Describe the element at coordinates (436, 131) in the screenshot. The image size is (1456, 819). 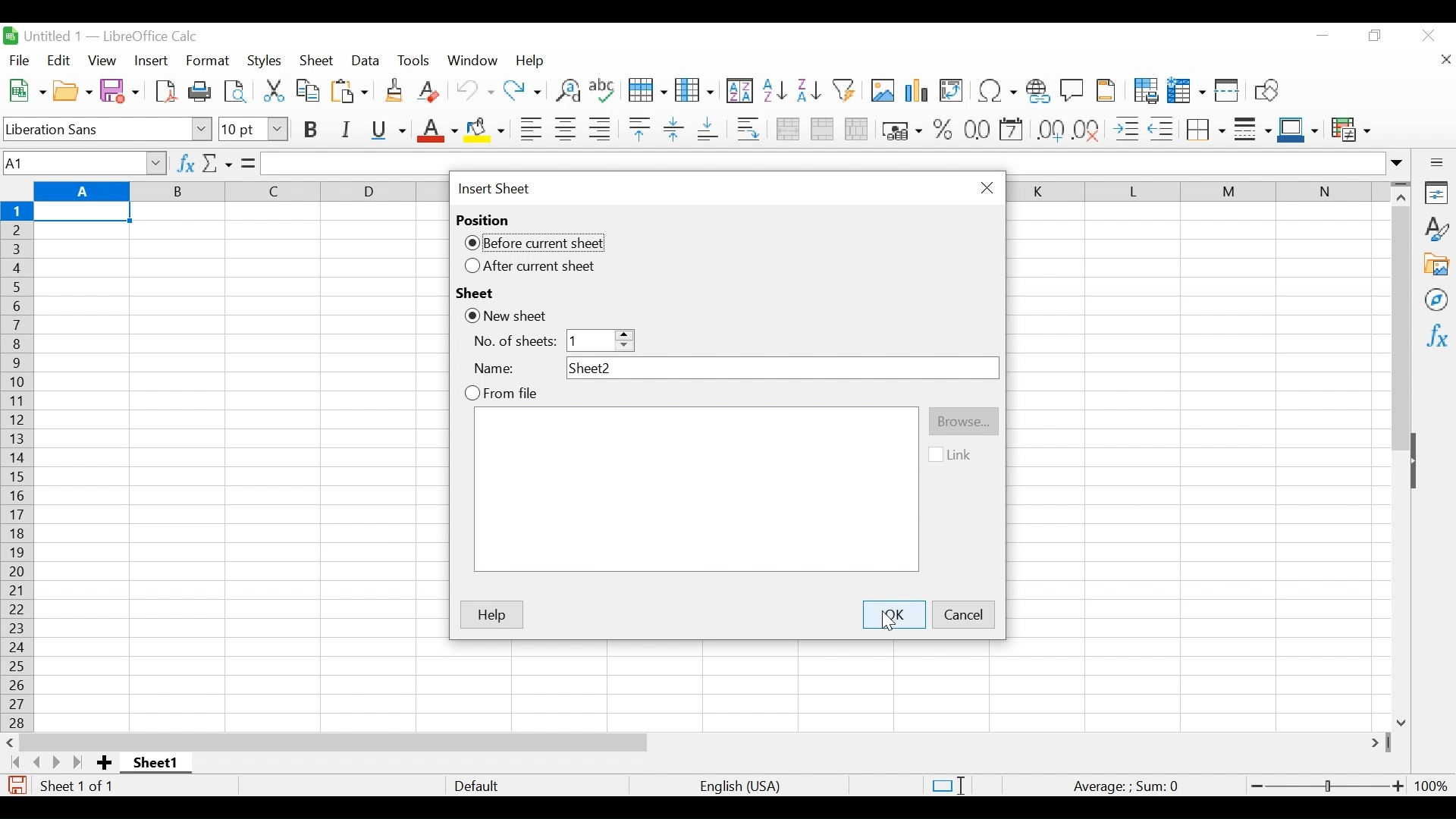
I see `Font Color` at that location.